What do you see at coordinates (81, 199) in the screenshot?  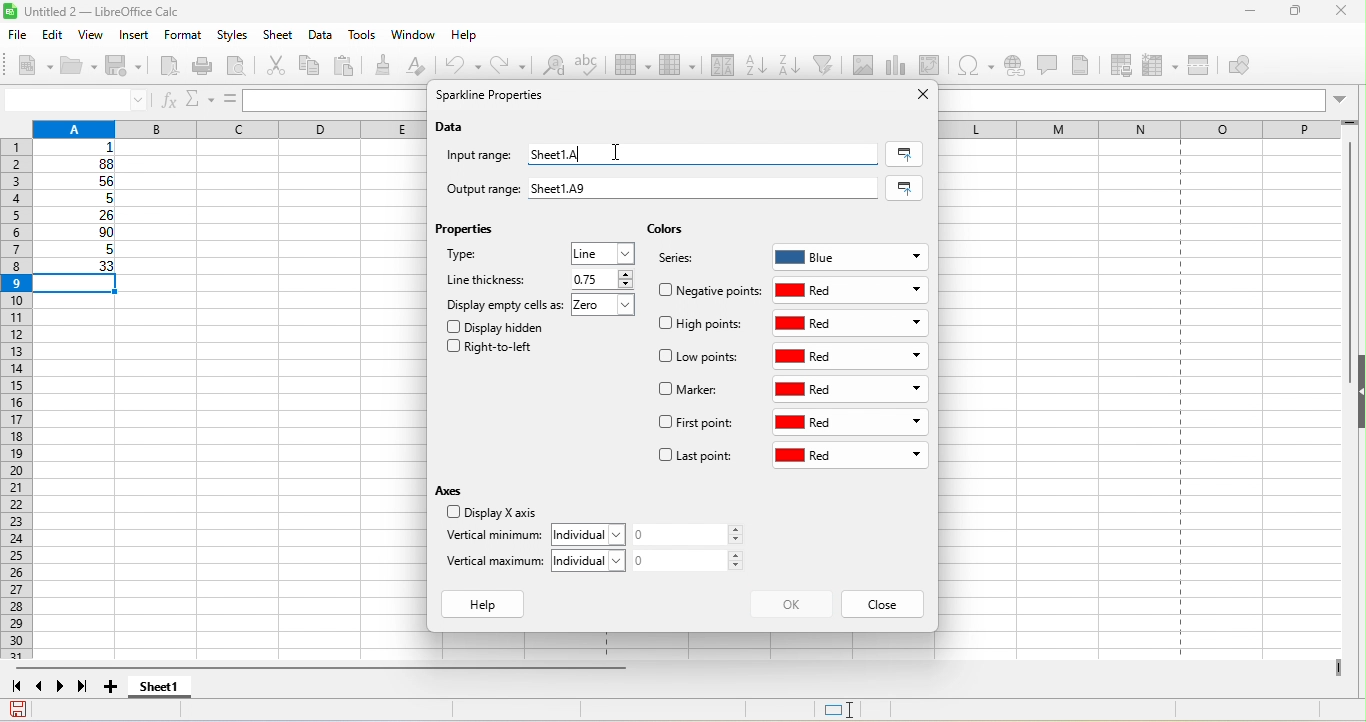 I see `5` at bounding box center [81, 199].